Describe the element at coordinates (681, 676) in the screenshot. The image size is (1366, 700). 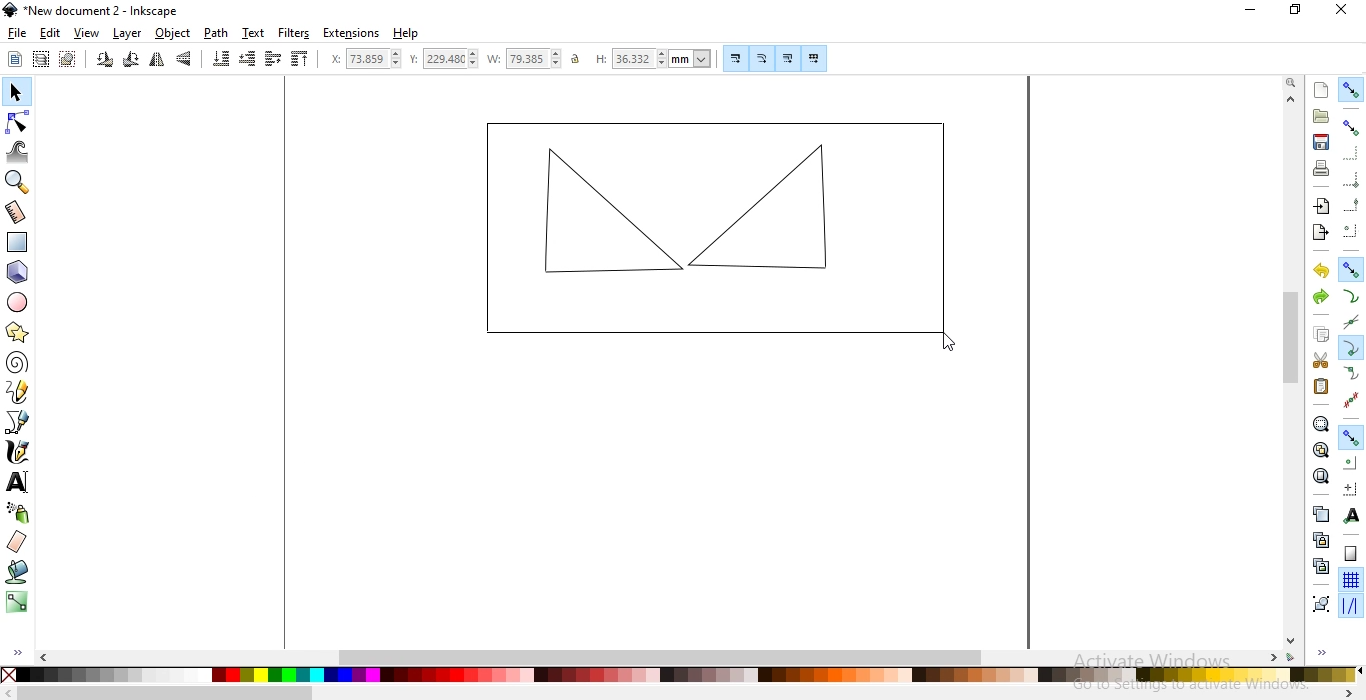
I see `color` at that location.